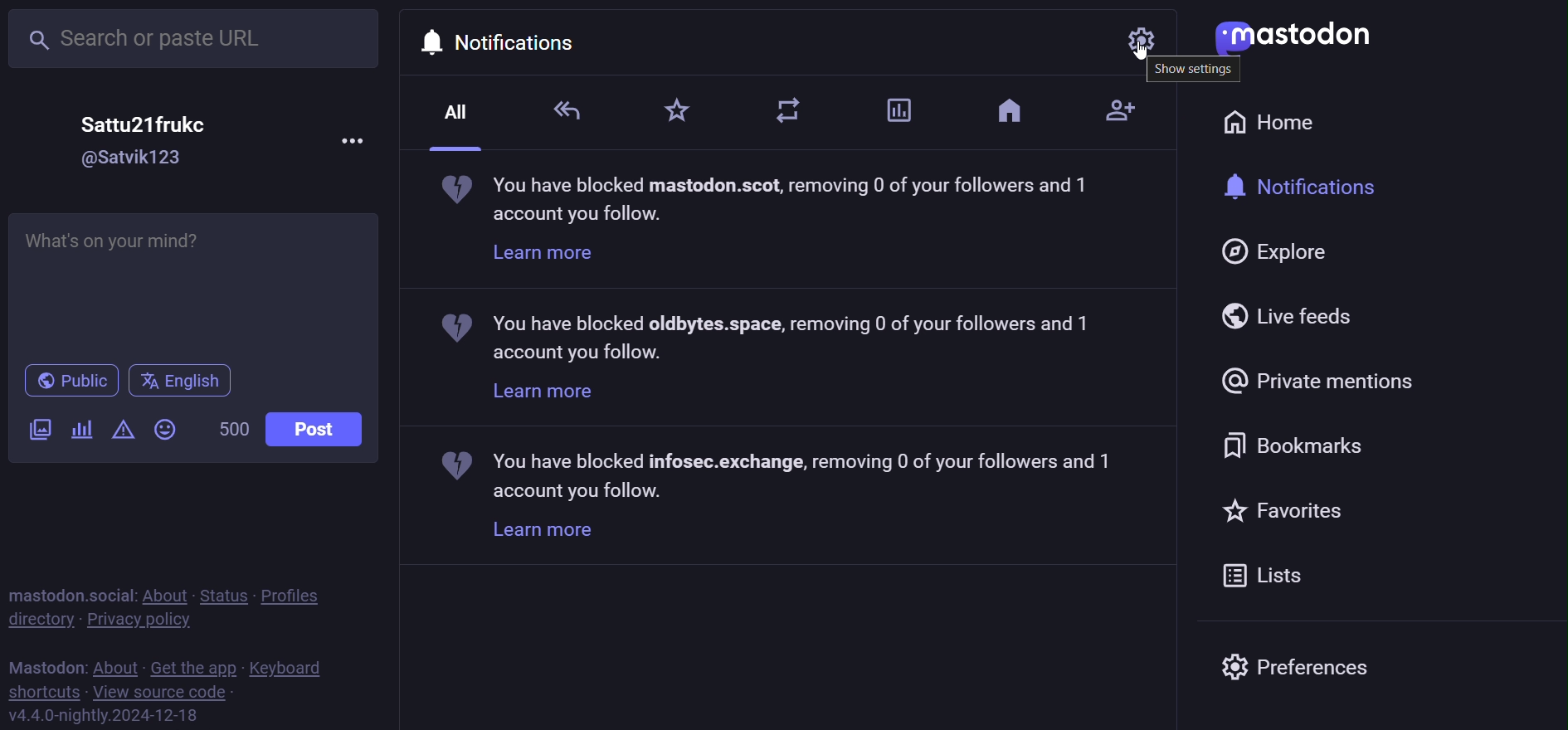  I want to click on Search or paste URL, so click(196, 39).